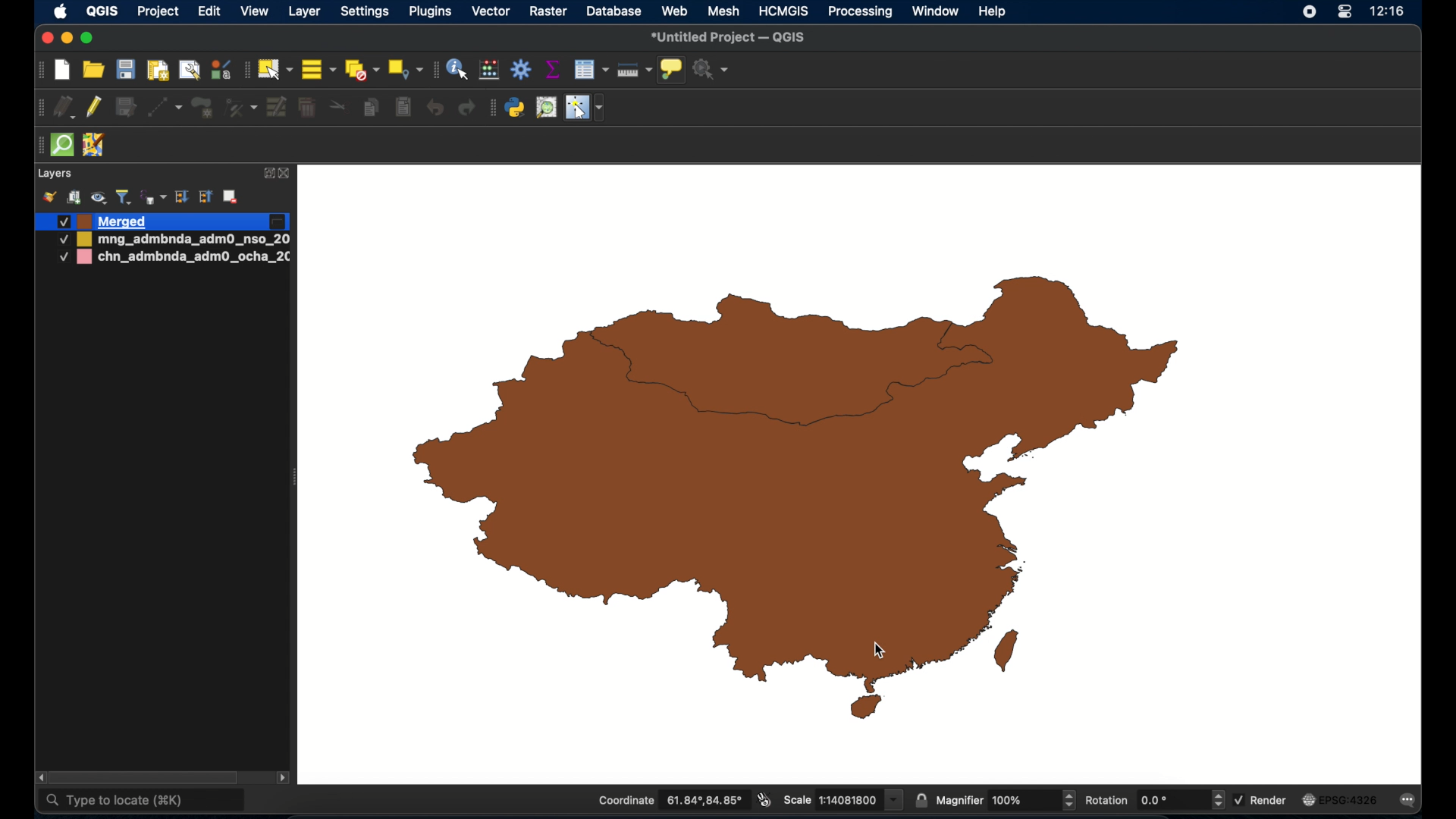 This screenshot has width=1456, height=819. Describe the element at coordinates (220, 69) in the screenshot. I see `style manager` at that location.